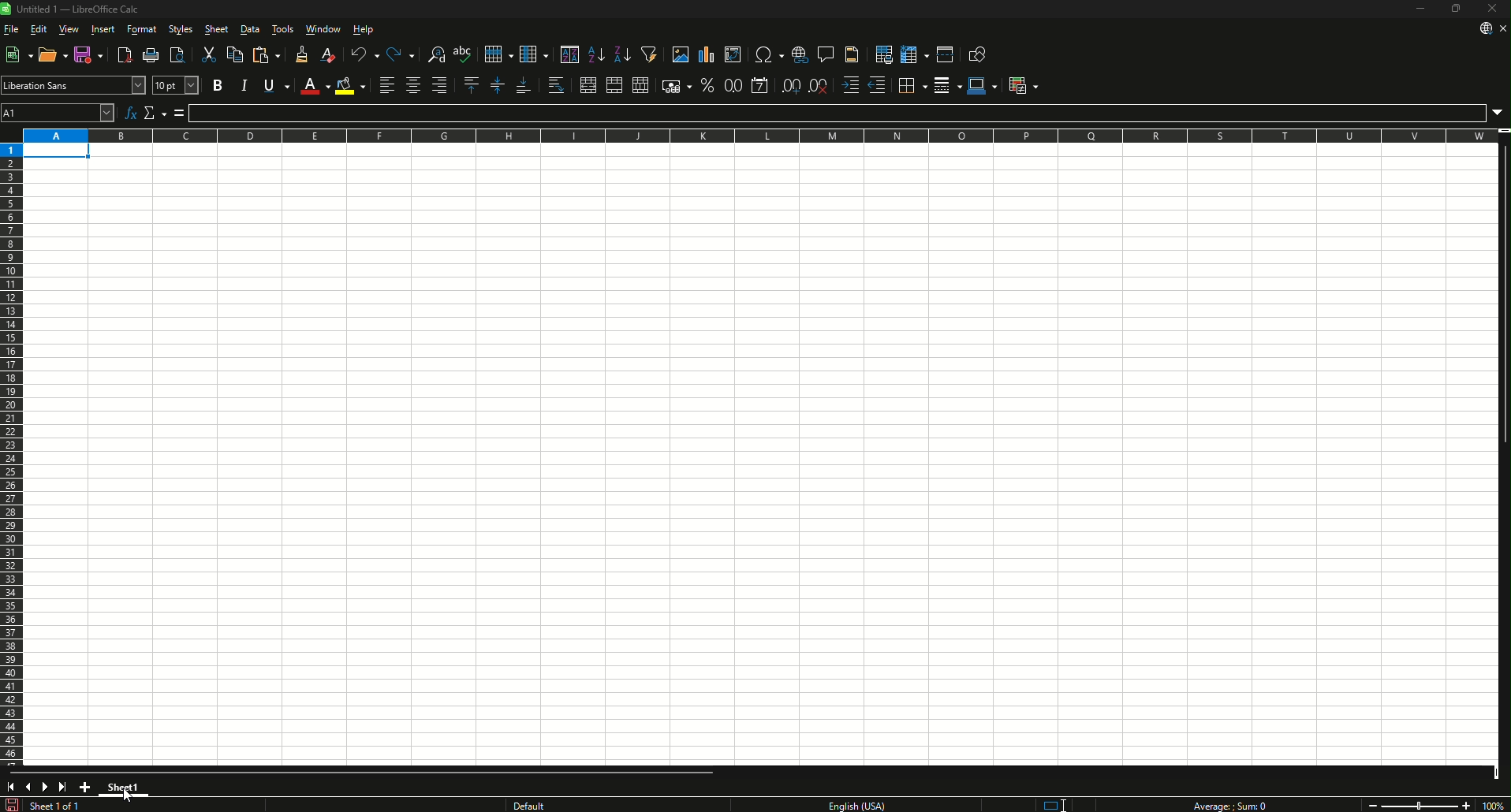 This screenshot has height=812, width=1511. Describe the element at coordinates (401, 54) in the screenshot. I see `Redo` at that location.